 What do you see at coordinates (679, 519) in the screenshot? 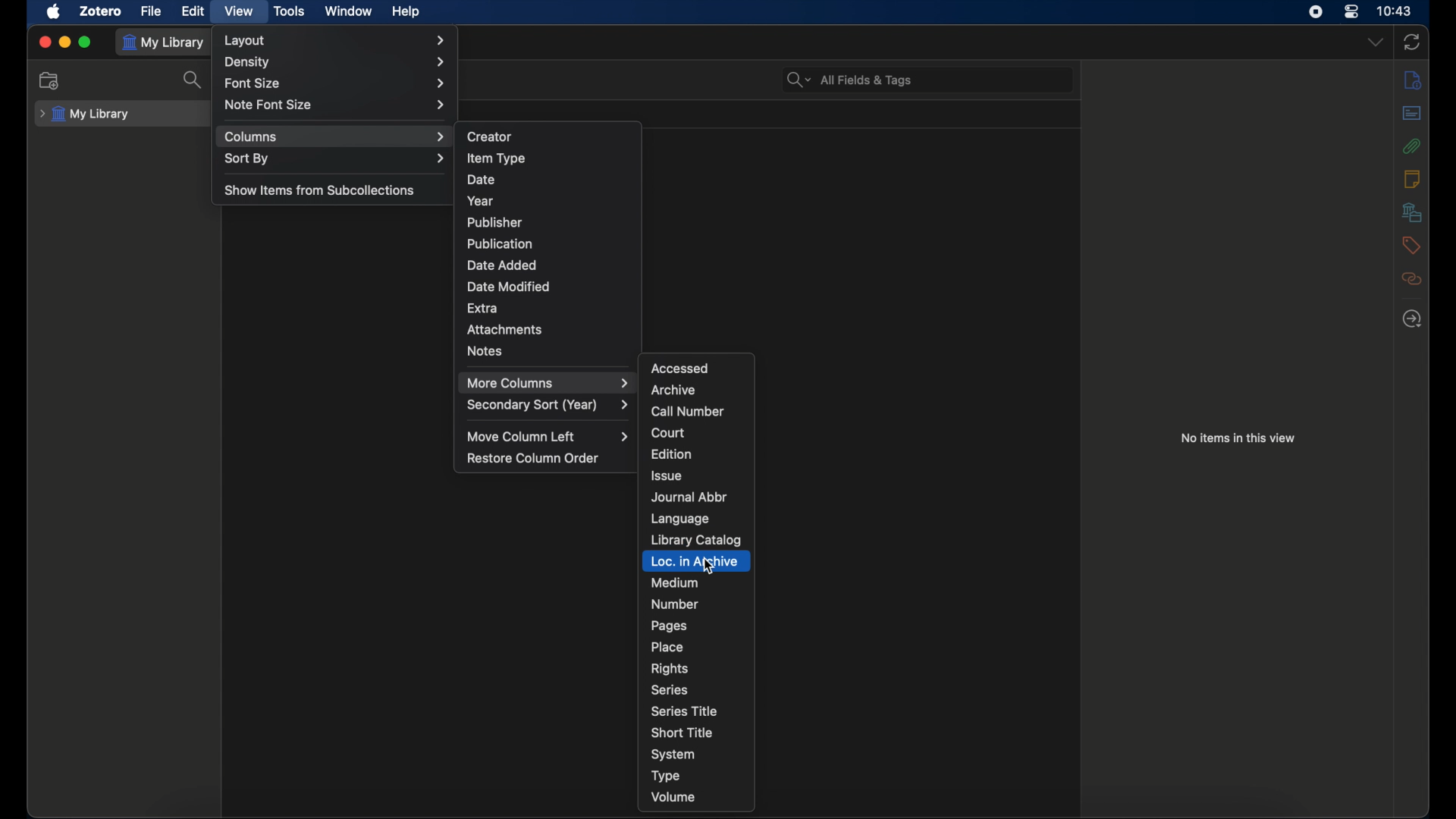
I see `language` at bounding box center [679, 519].